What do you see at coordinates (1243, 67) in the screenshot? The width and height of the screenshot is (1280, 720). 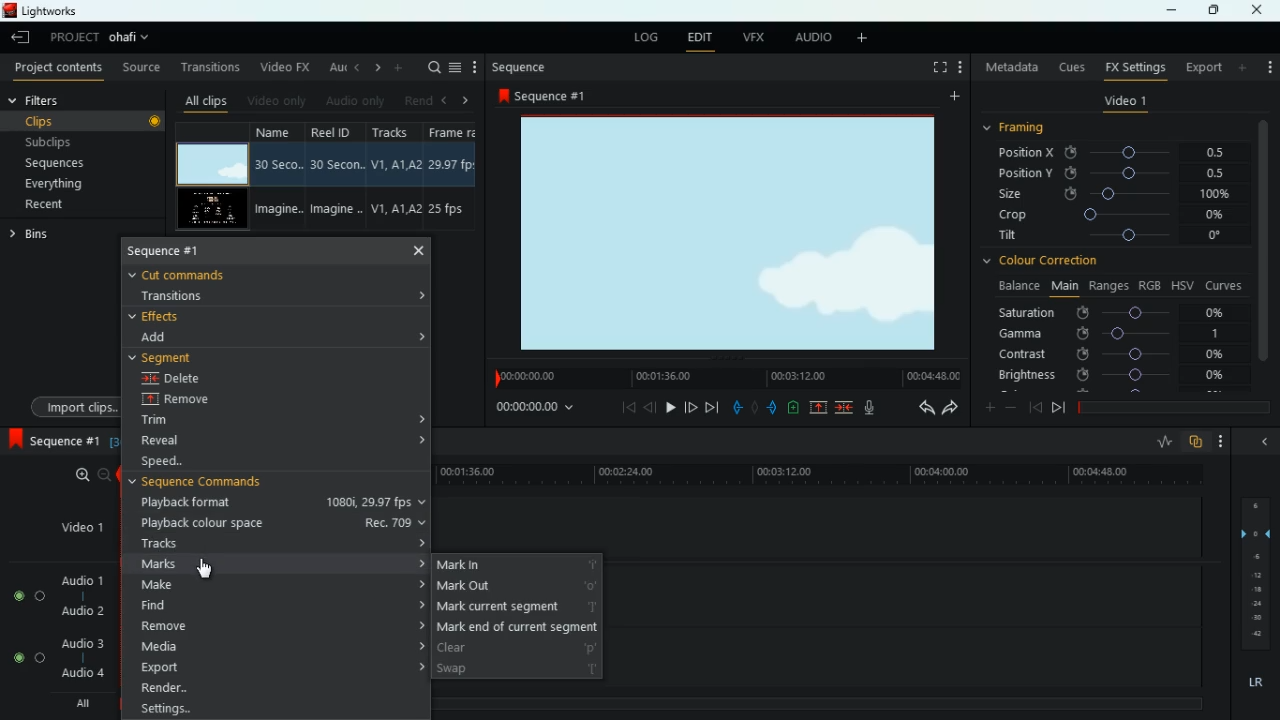 I see `more` at bounding box center [1243, 67].